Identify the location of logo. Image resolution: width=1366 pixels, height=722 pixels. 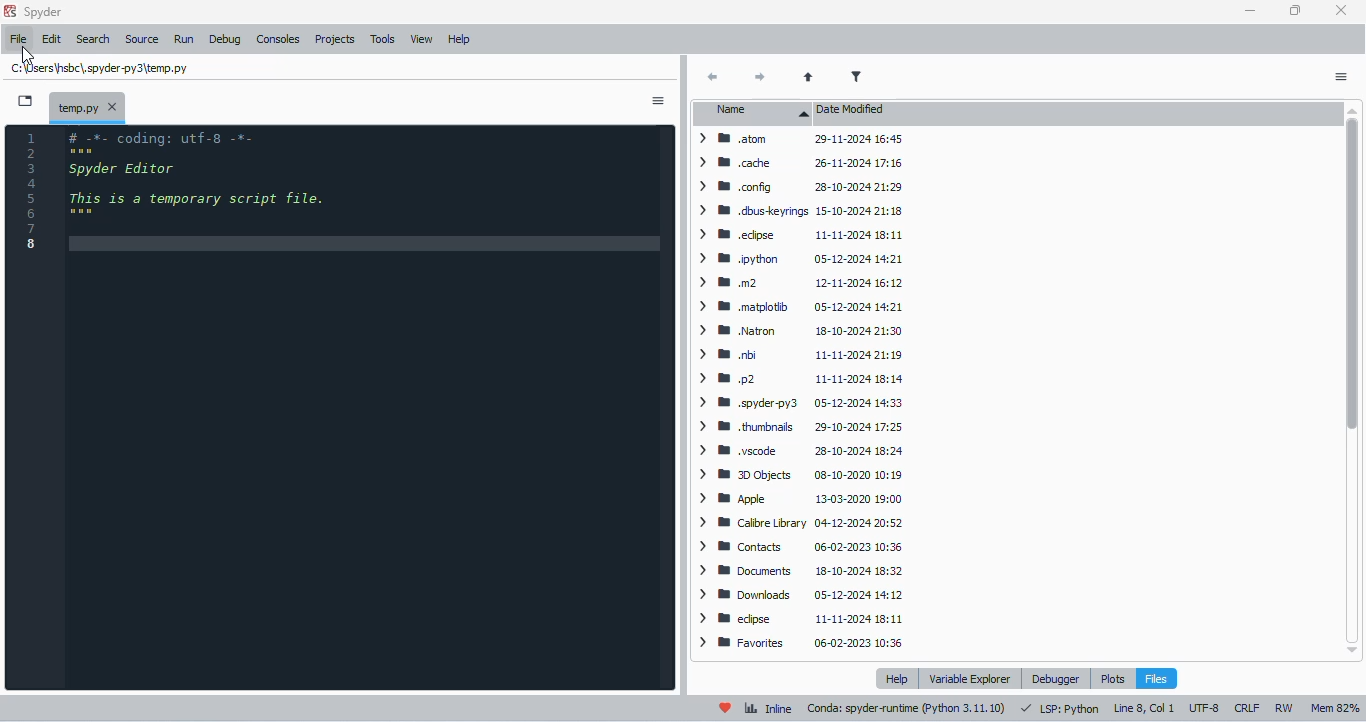
(10, 11).